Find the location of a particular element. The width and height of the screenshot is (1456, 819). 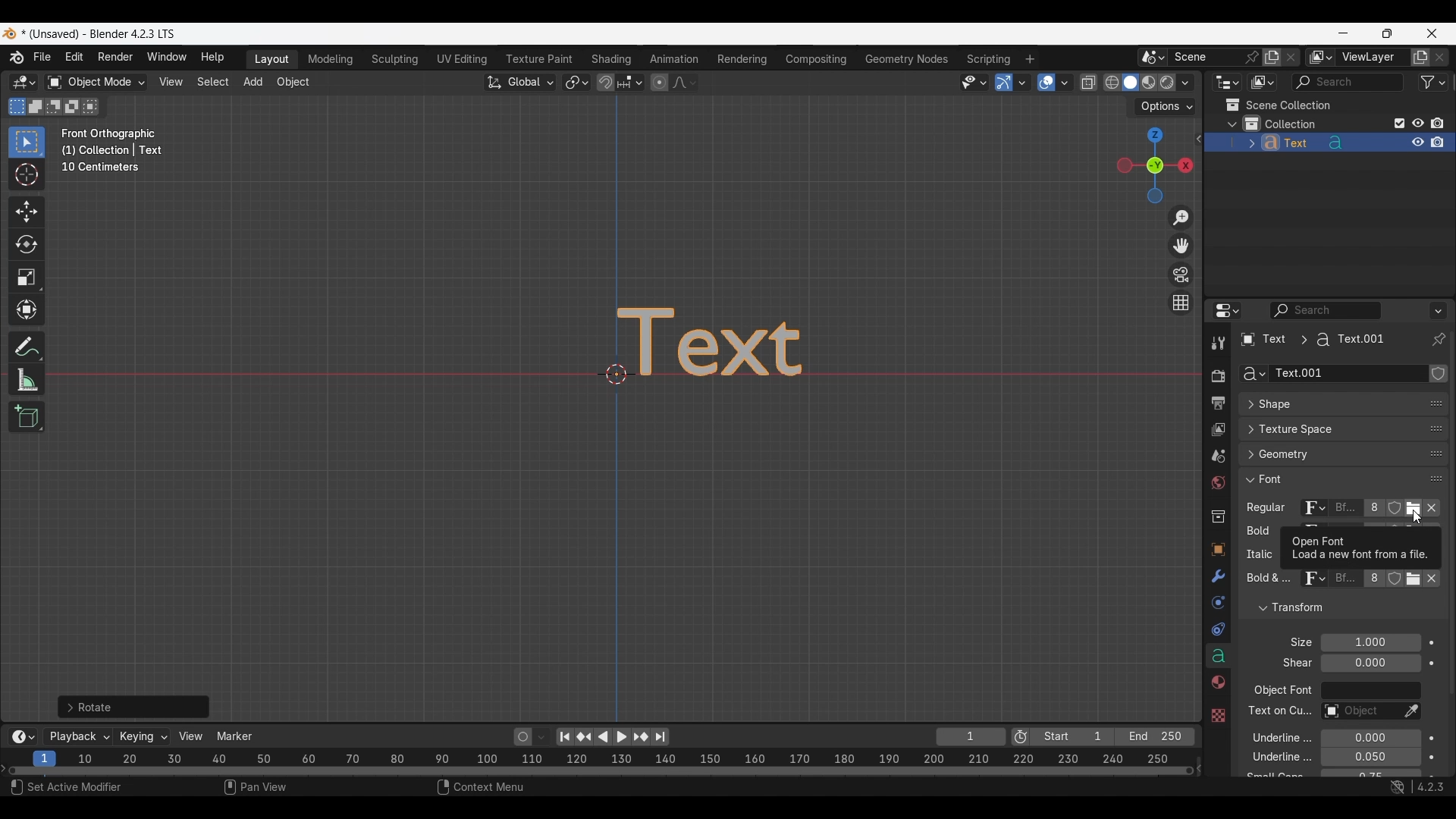

Zoom in/out in the view is located at coordinates (1180, 218).